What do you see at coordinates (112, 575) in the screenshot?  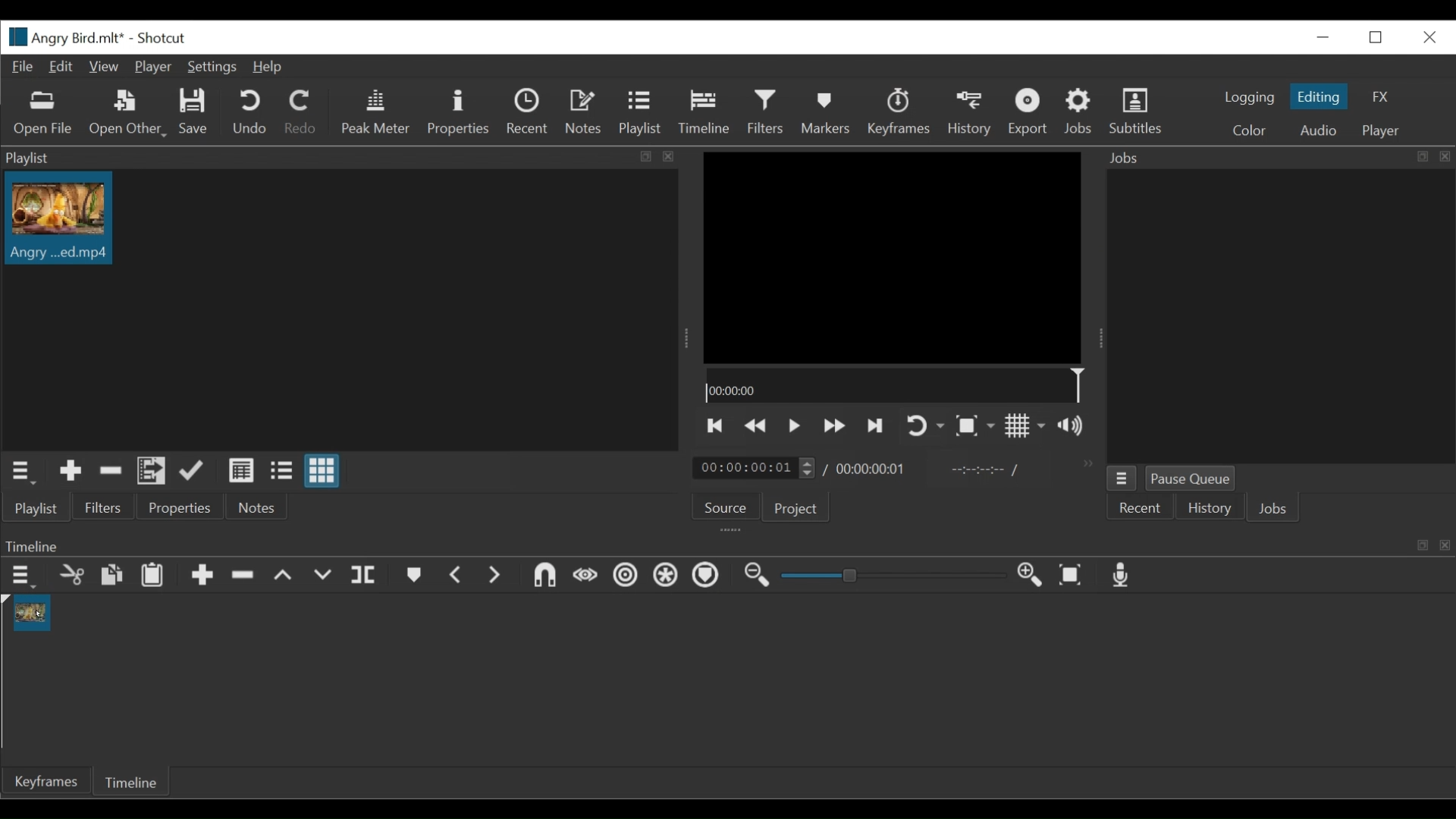 I see `Copy` at bounding box center [112, 575].